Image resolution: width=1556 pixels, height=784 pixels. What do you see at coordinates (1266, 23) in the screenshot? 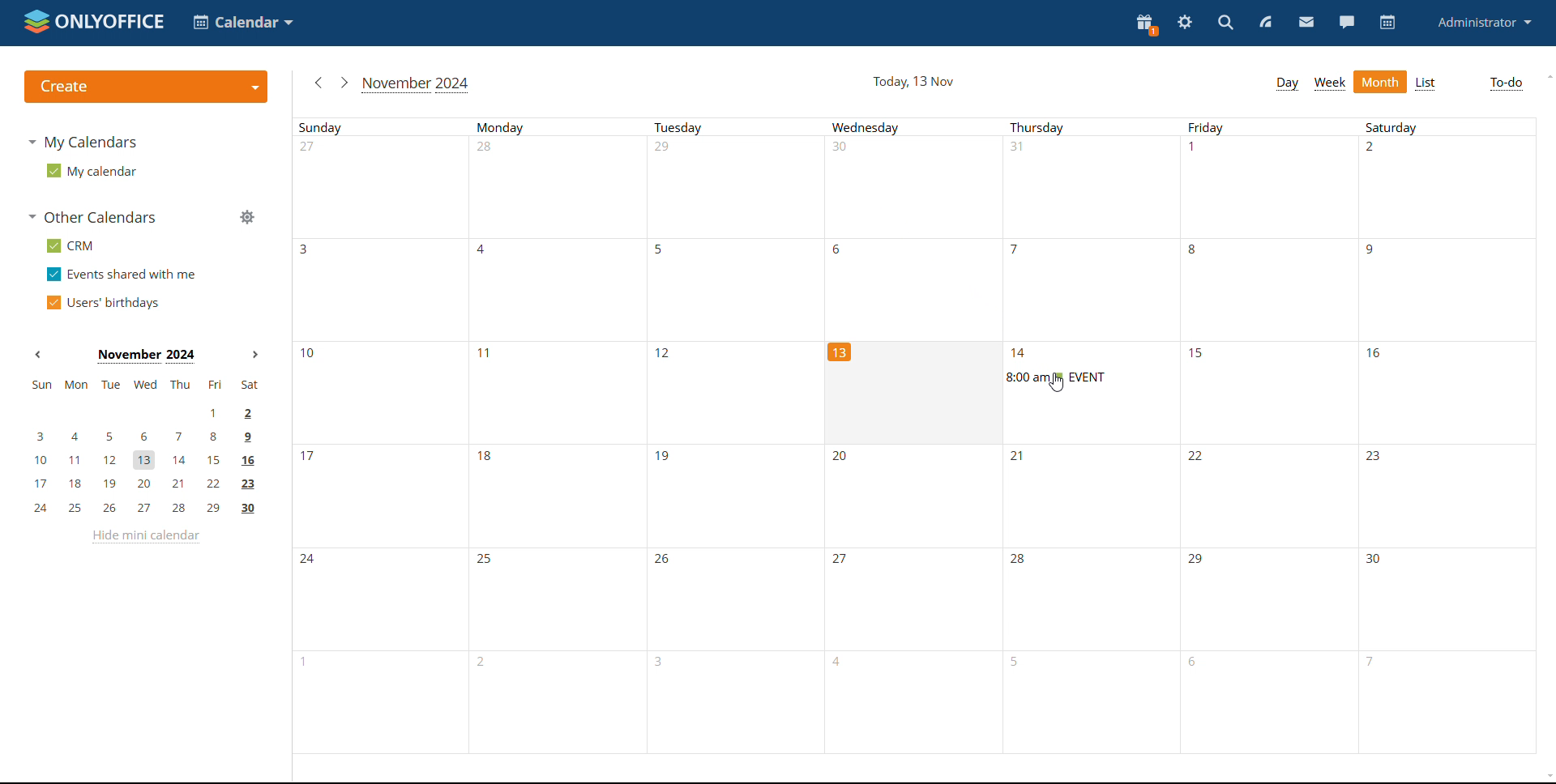
I see `feed` at bounding box center [1266, 23].